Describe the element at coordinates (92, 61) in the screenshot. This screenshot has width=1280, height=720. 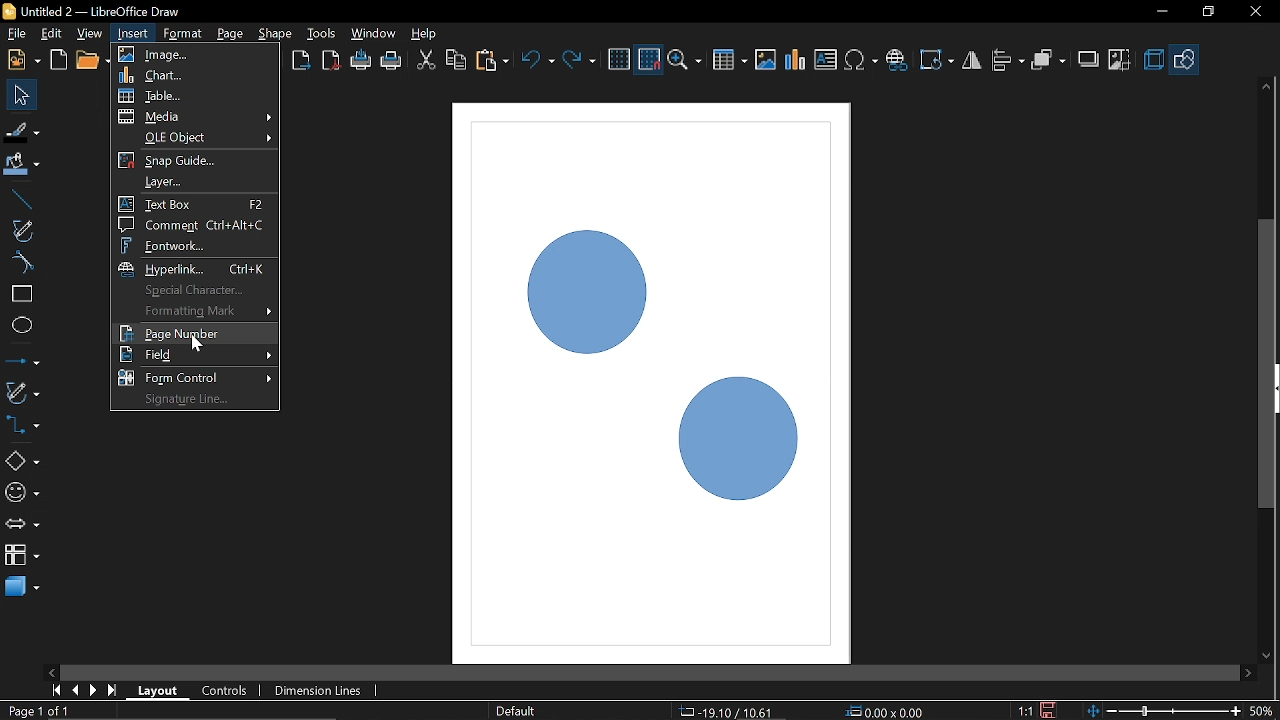
I see `Open` at that location.